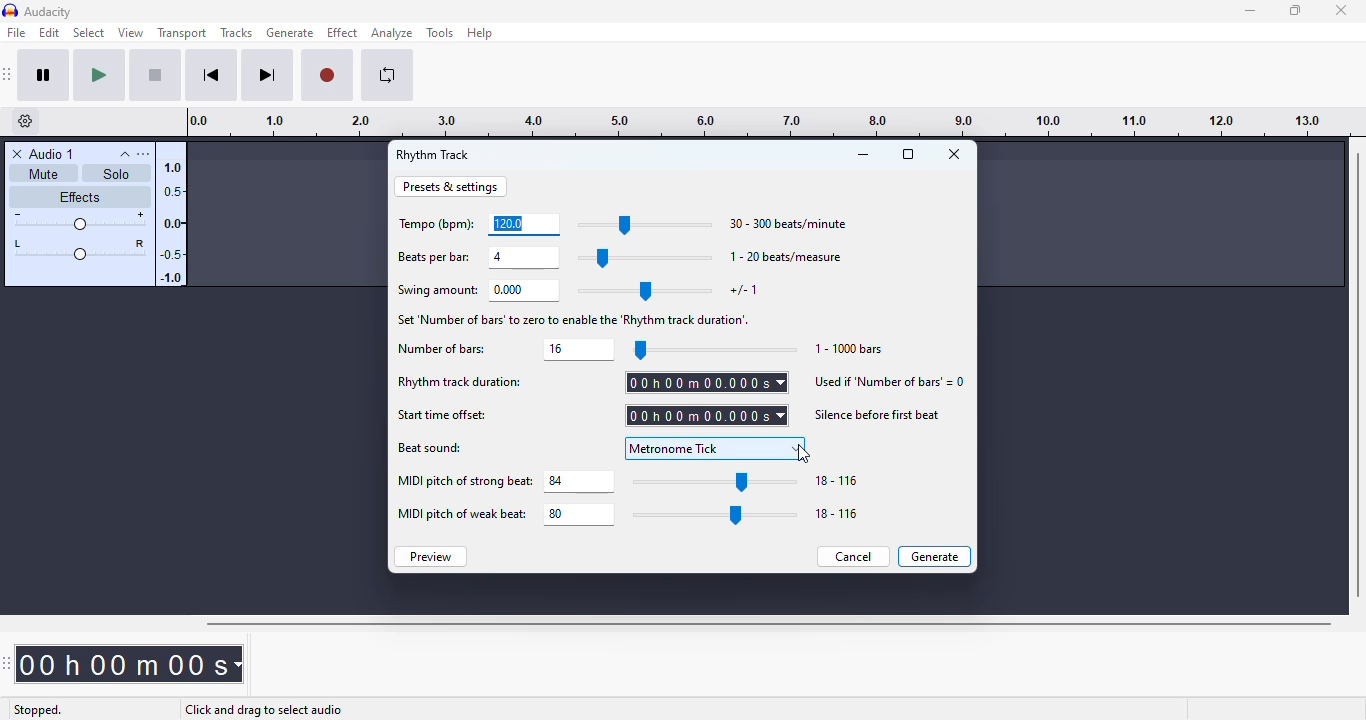  Describe the element at coordinates (442, 416) in the screenshot. I see `start time offset` at that location.